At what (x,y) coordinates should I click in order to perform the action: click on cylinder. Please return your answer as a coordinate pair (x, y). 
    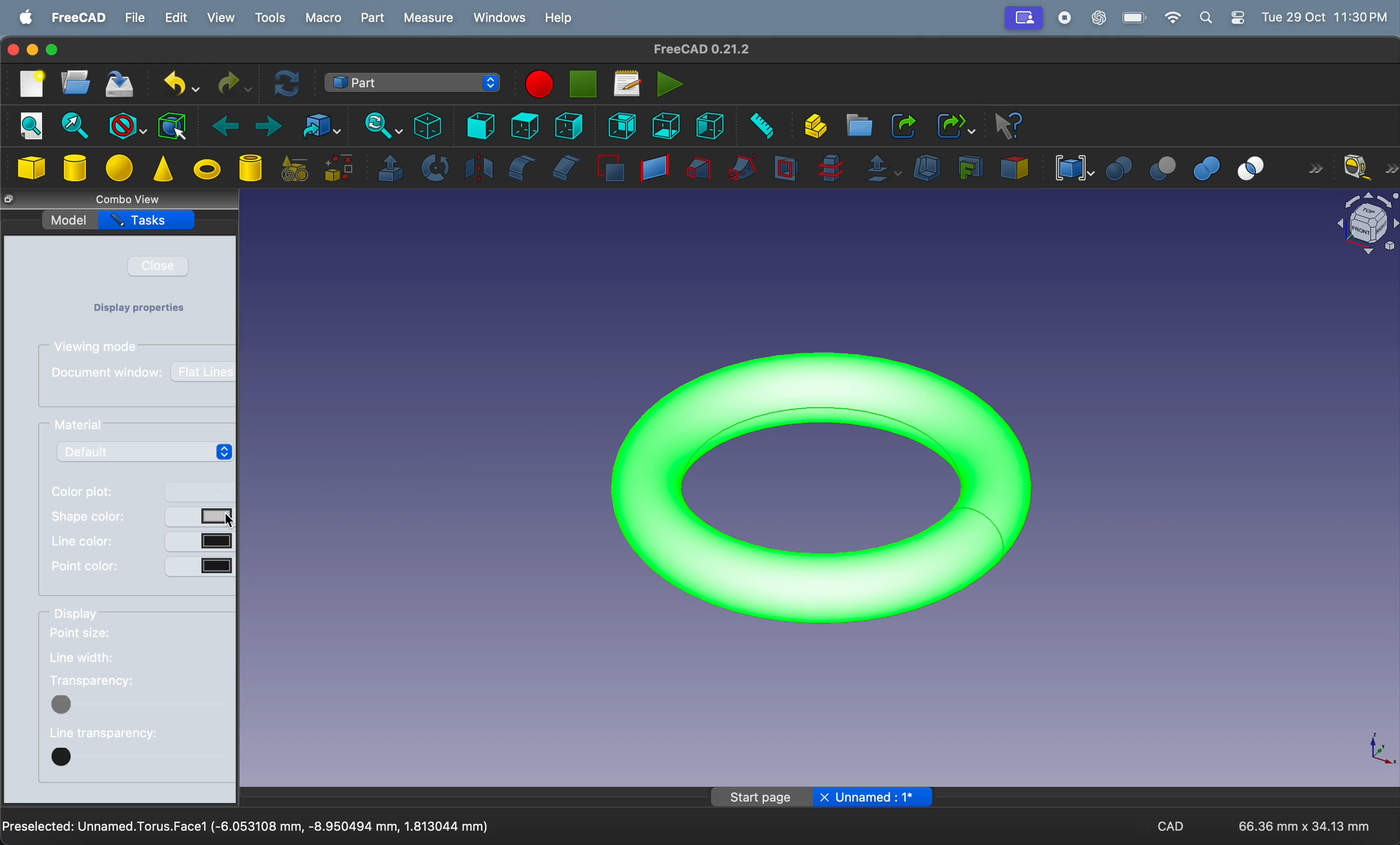
    Looking at the image, I should click on (74, 166).